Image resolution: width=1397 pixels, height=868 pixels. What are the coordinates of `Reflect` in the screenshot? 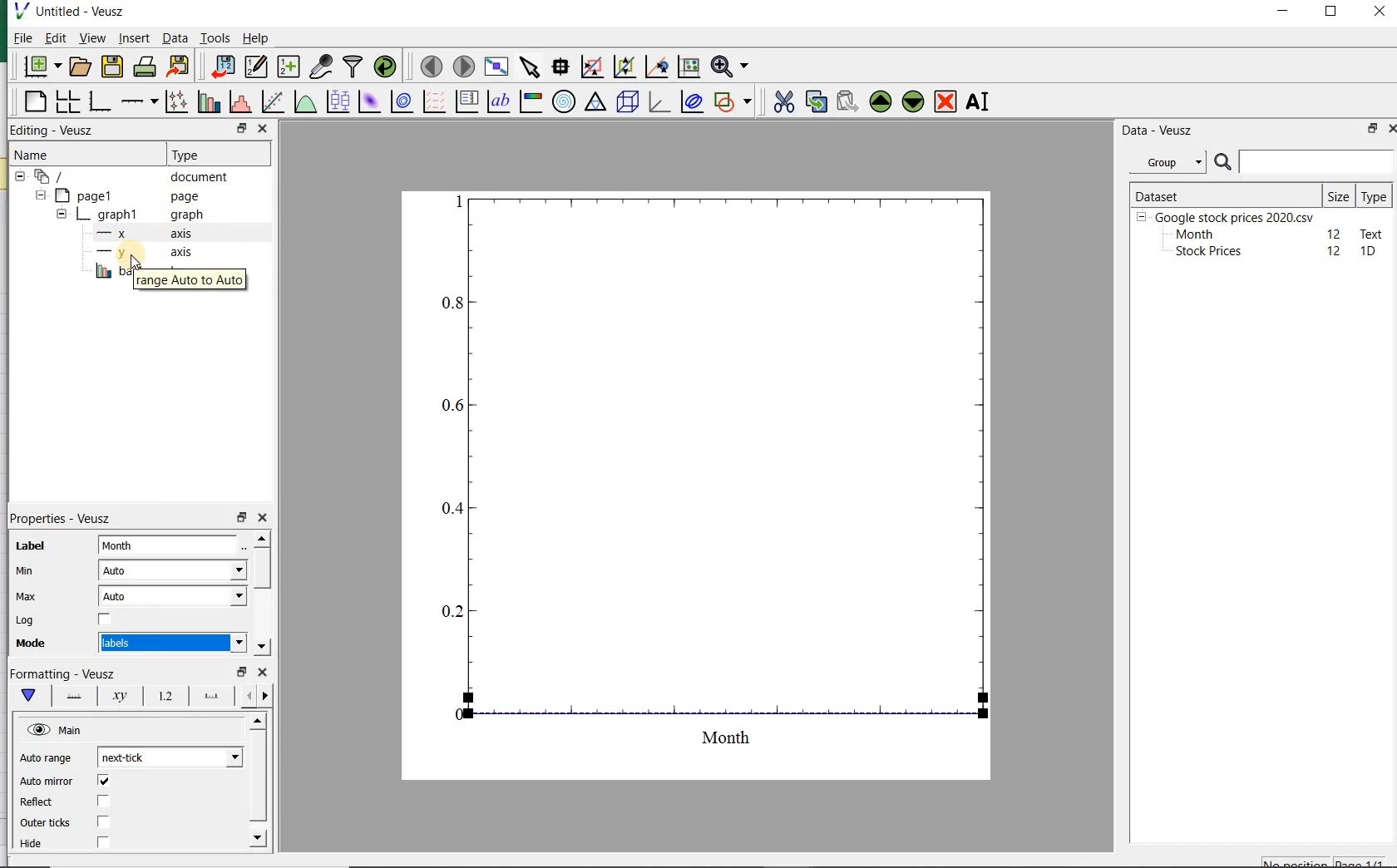 It's located at (39, 802).